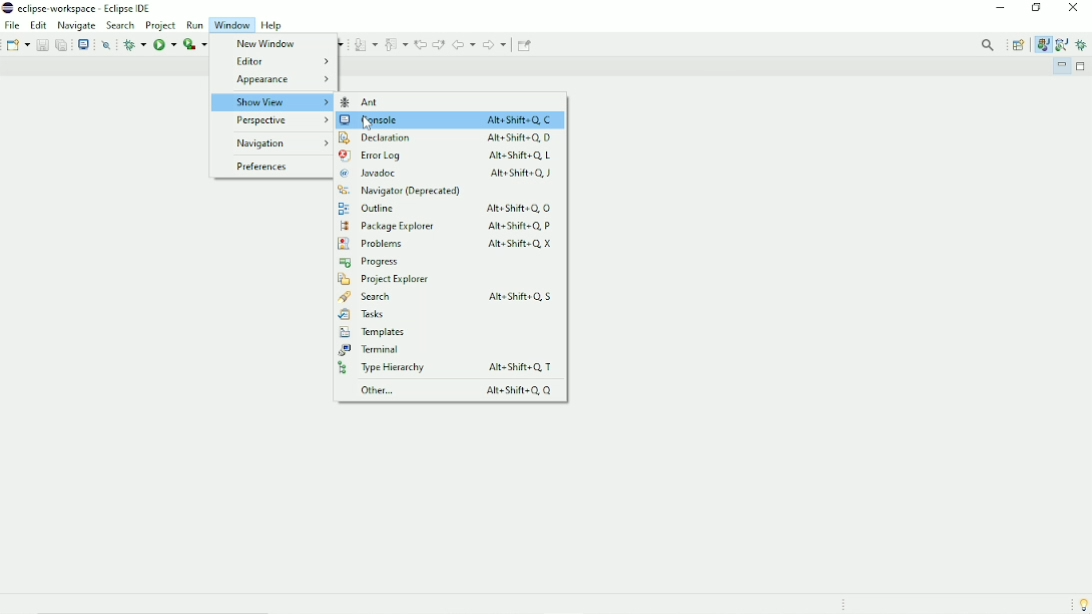  What do you see at coordinates (7, 8) in the screenshot?
I see `eclipse logo ` at bounding box center [7, 8].